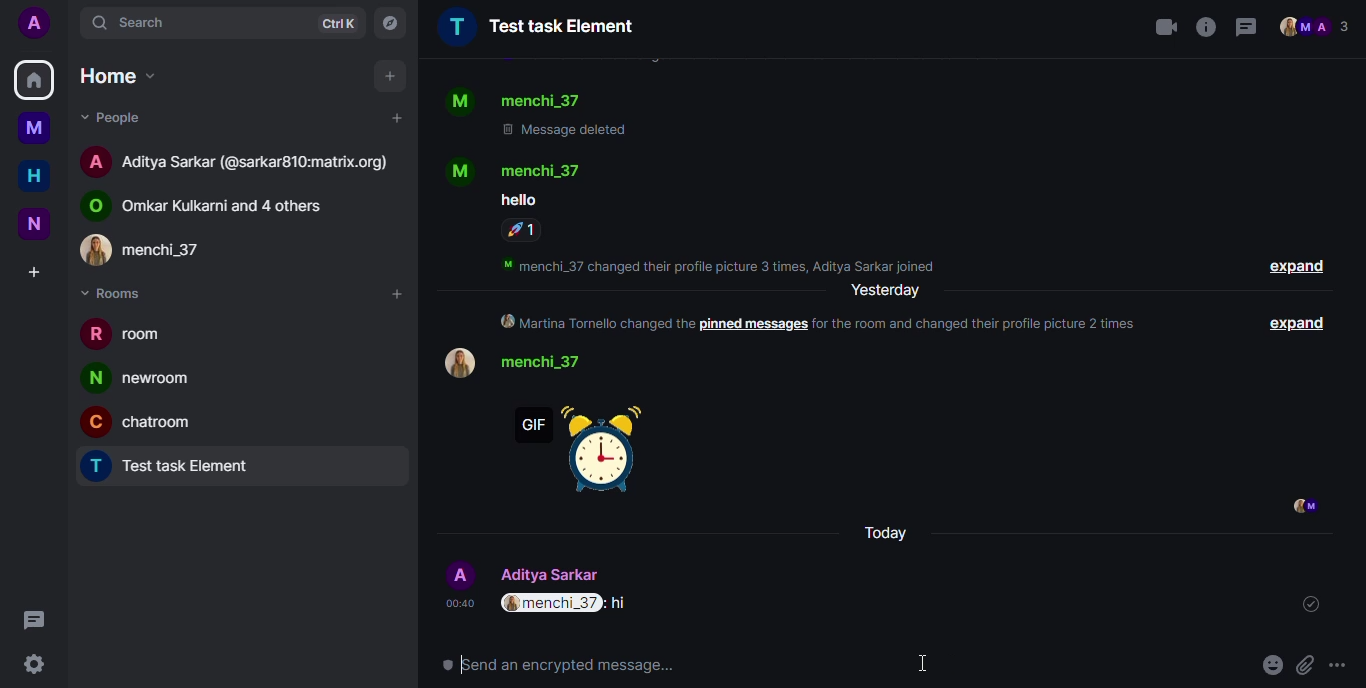  Describe the element at coordinates (130, 337) in the screenshot. I see `room` at that location.